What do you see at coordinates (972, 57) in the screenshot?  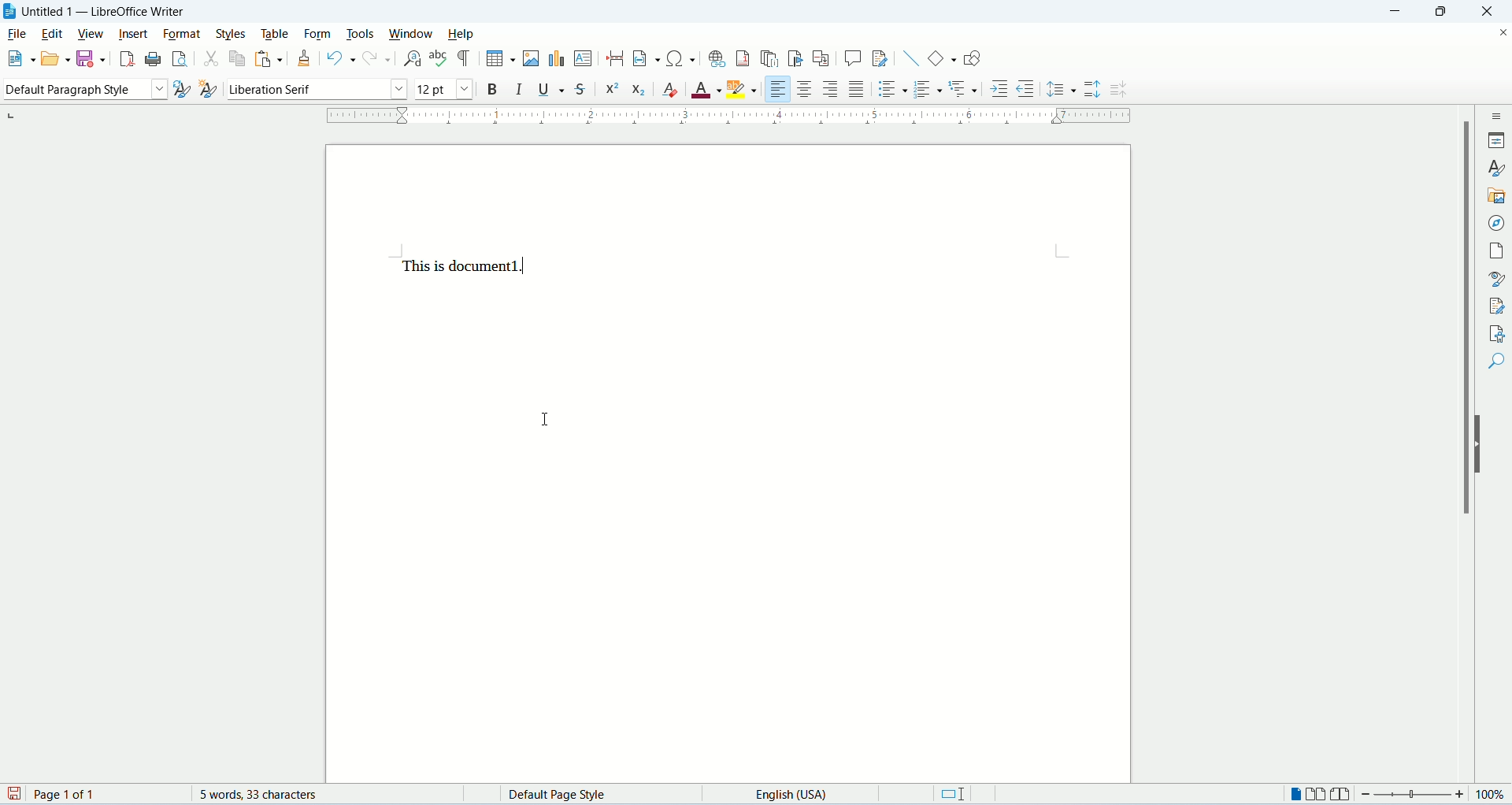 I see `draw function` at bounding box center [972, 57].